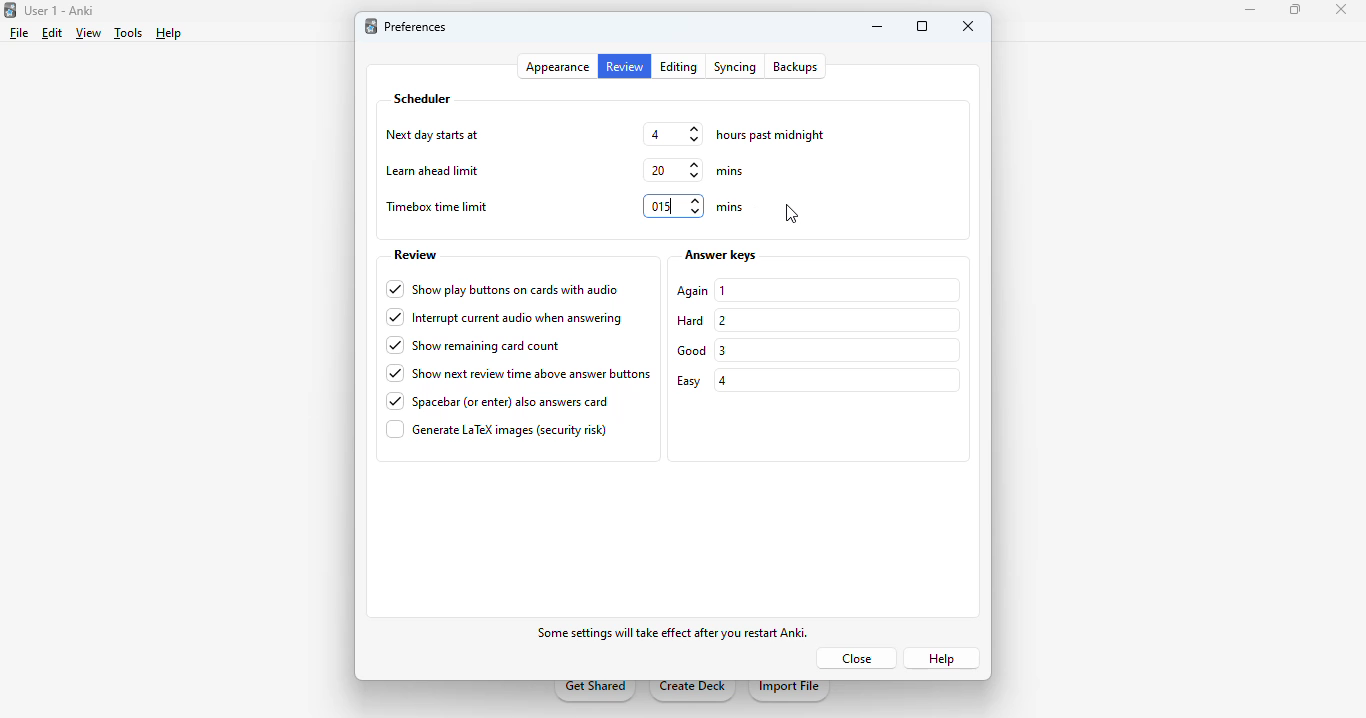 The height and width of the screenshot is (718, 1366). I want to click on help, so click(168, 33).